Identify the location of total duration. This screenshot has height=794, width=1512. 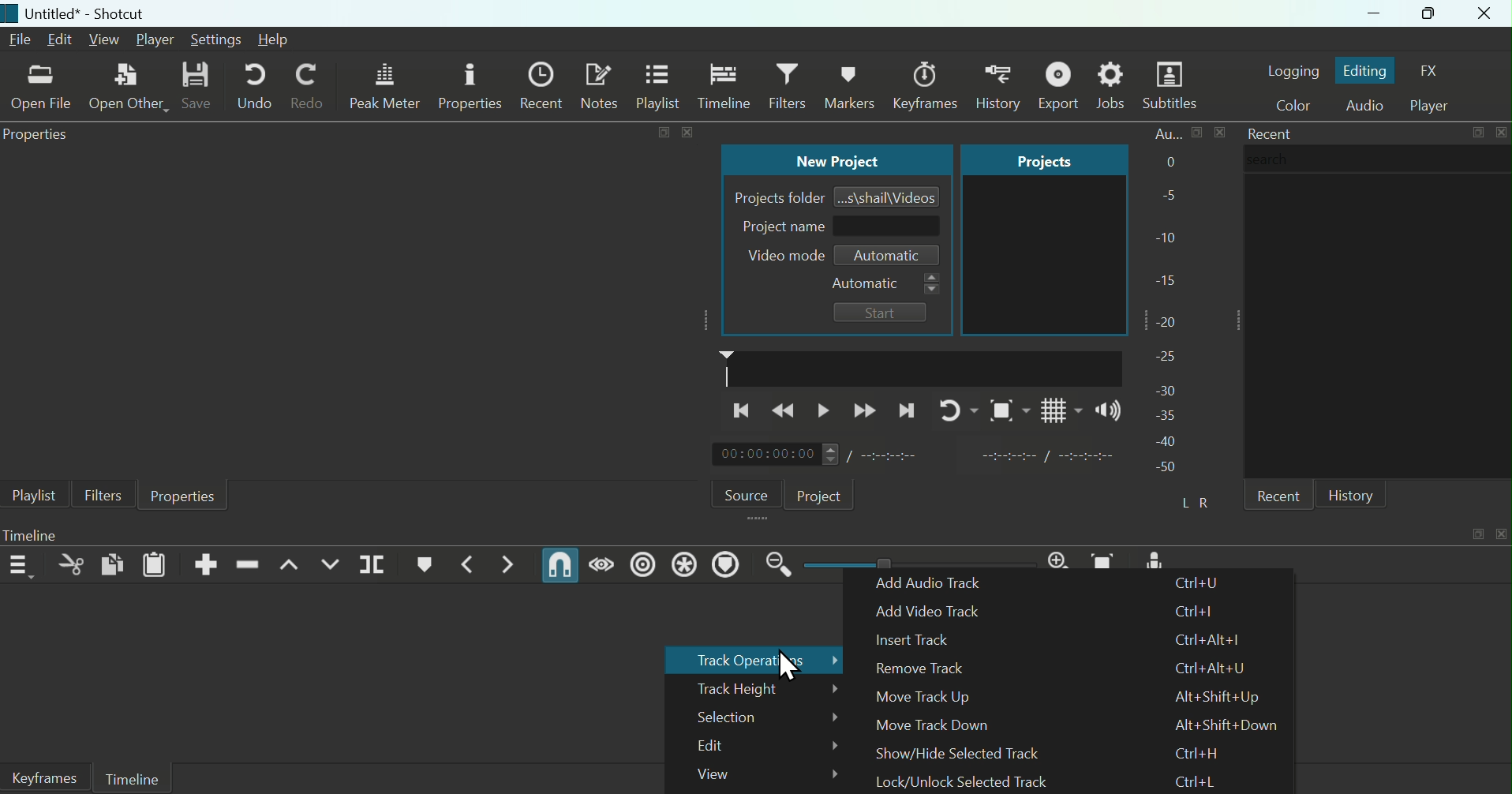
(897, 455).